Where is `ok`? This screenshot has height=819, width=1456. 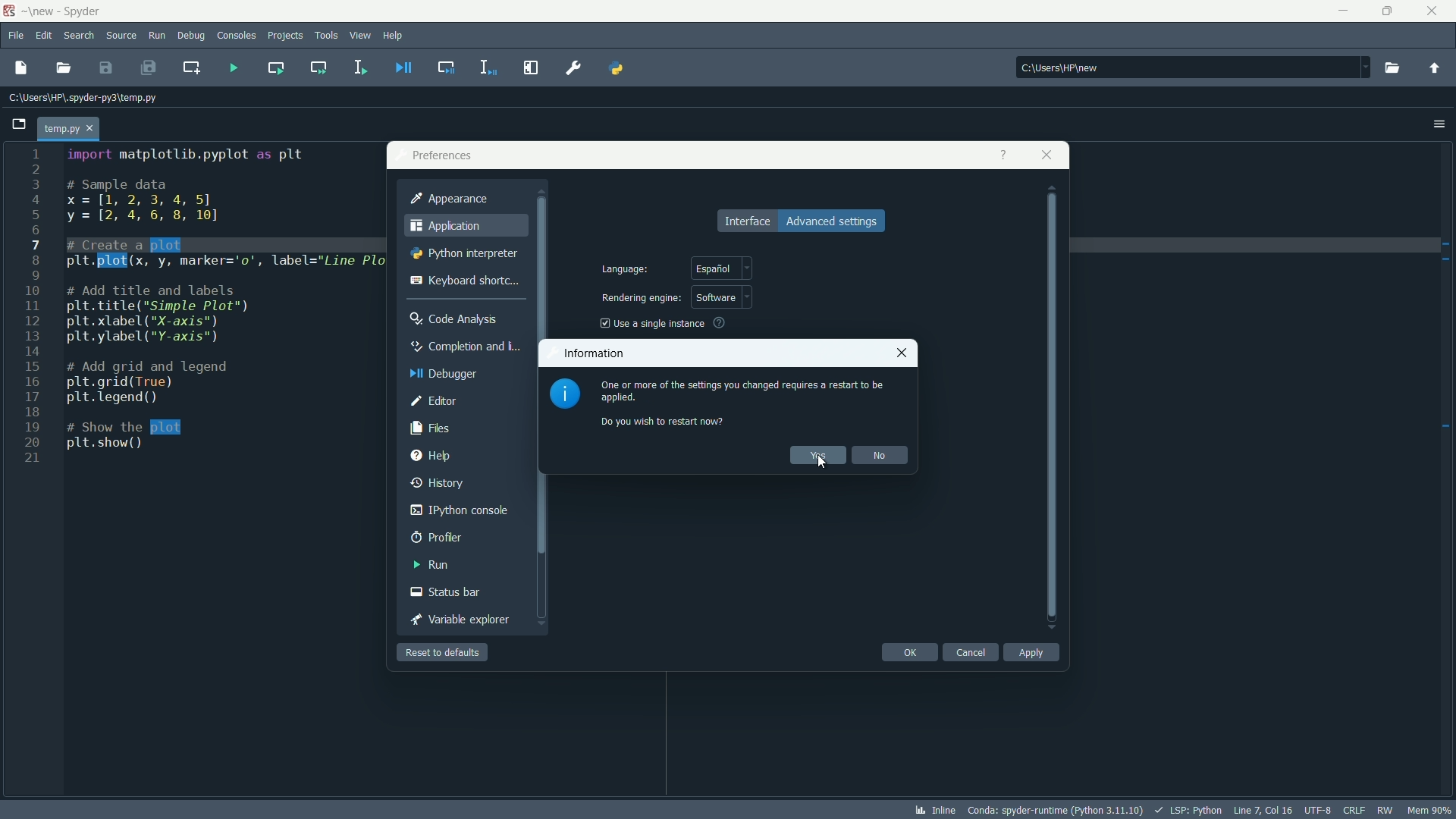
ok is located at coordinates (908, 653).